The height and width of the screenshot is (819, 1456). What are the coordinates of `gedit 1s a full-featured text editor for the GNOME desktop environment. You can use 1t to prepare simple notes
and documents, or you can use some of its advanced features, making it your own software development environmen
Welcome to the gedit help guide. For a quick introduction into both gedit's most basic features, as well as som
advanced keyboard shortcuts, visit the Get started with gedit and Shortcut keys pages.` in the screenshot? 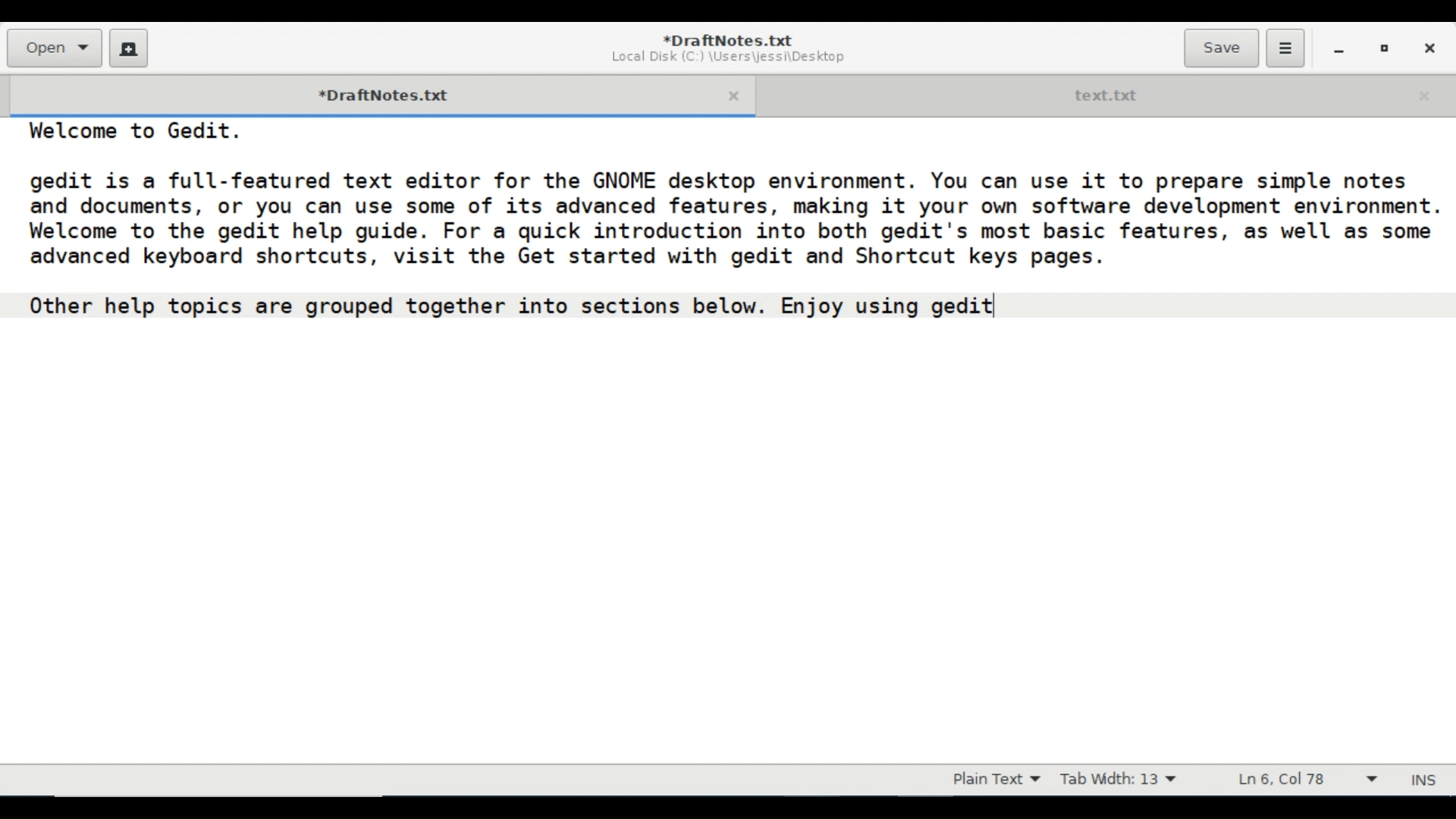 It's located at (723, 224).